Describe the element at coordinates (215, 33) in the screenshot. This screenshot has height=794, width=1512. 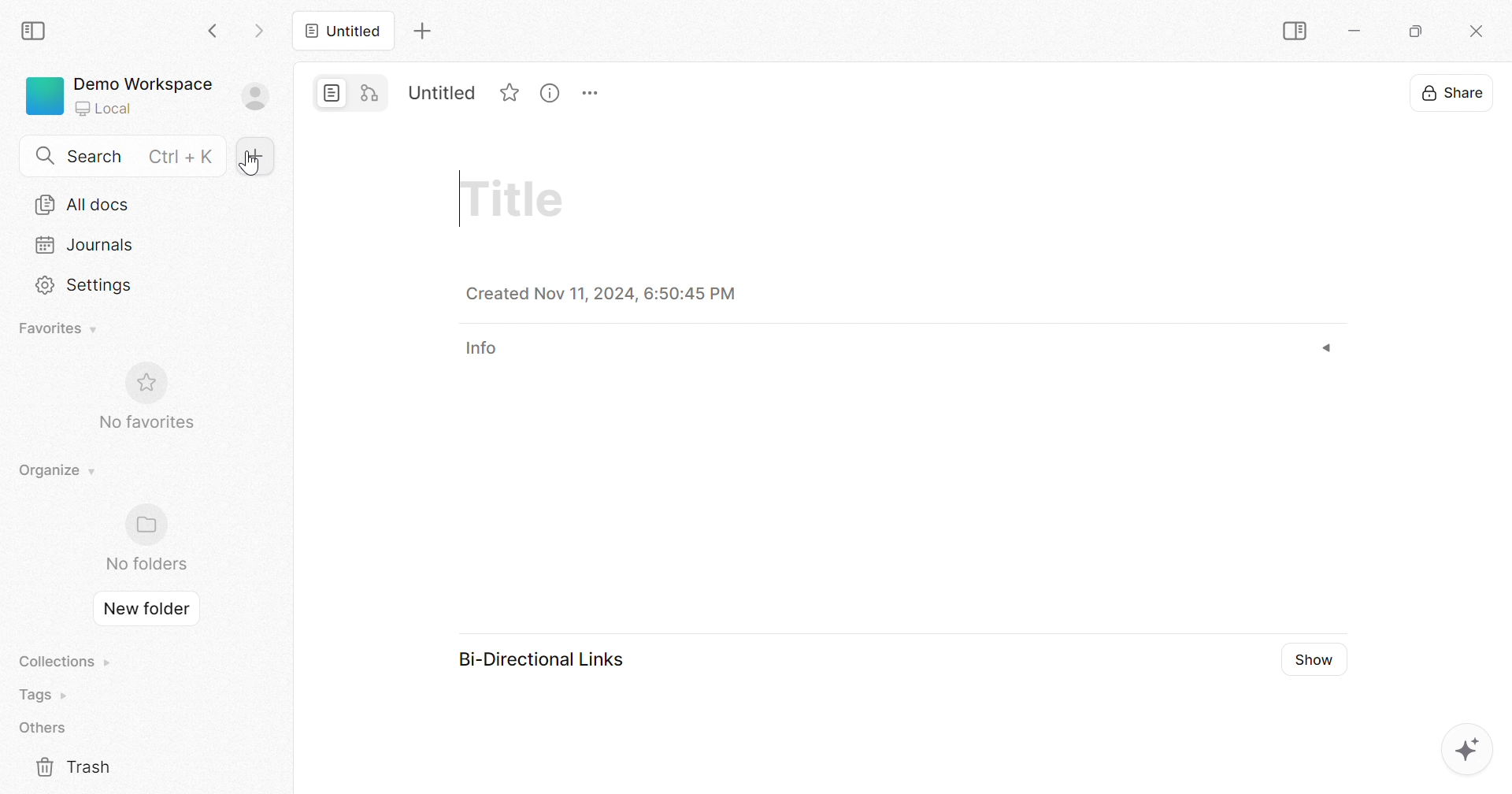
I see `Back` at that location.